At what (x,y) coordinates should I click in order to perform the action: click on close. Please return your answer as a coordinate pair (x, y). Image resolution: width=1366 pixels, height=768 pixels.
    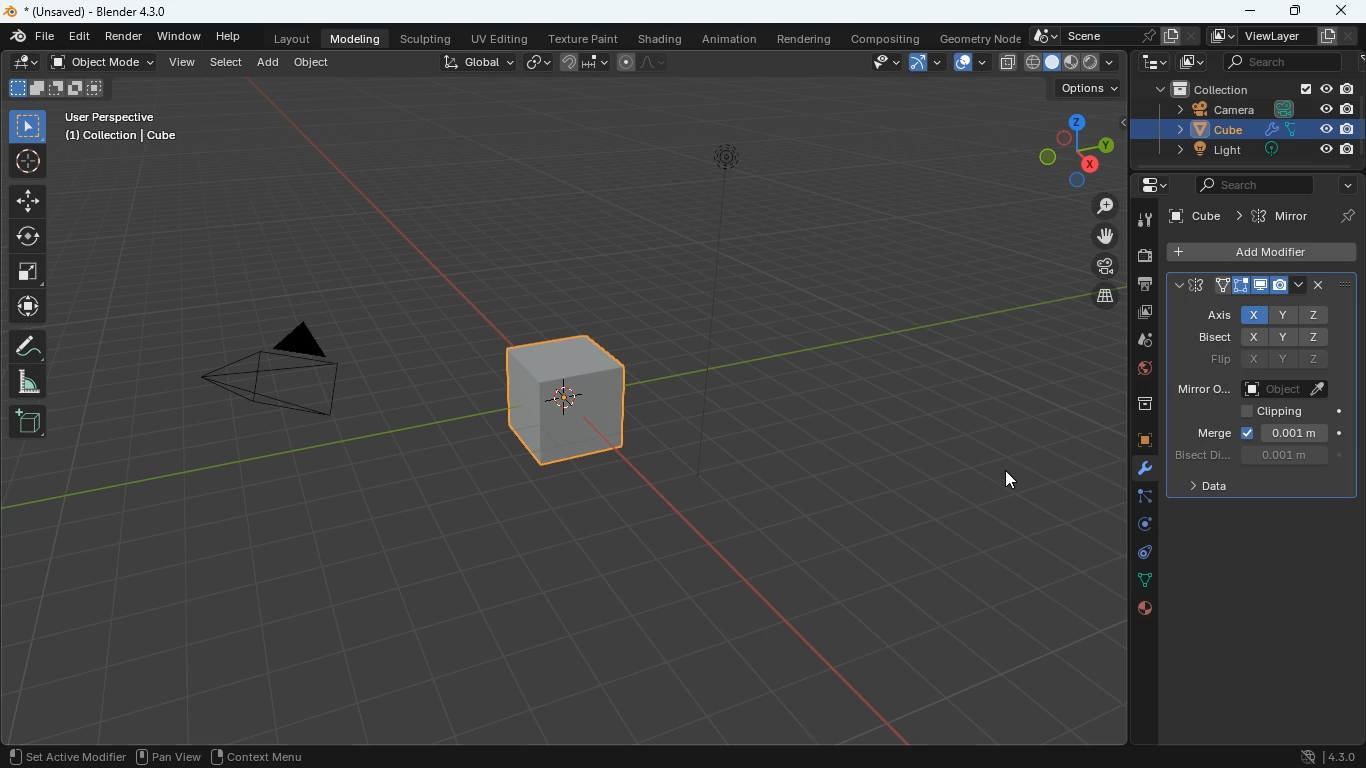
    Looking at the image, I should click on (1331, 284).